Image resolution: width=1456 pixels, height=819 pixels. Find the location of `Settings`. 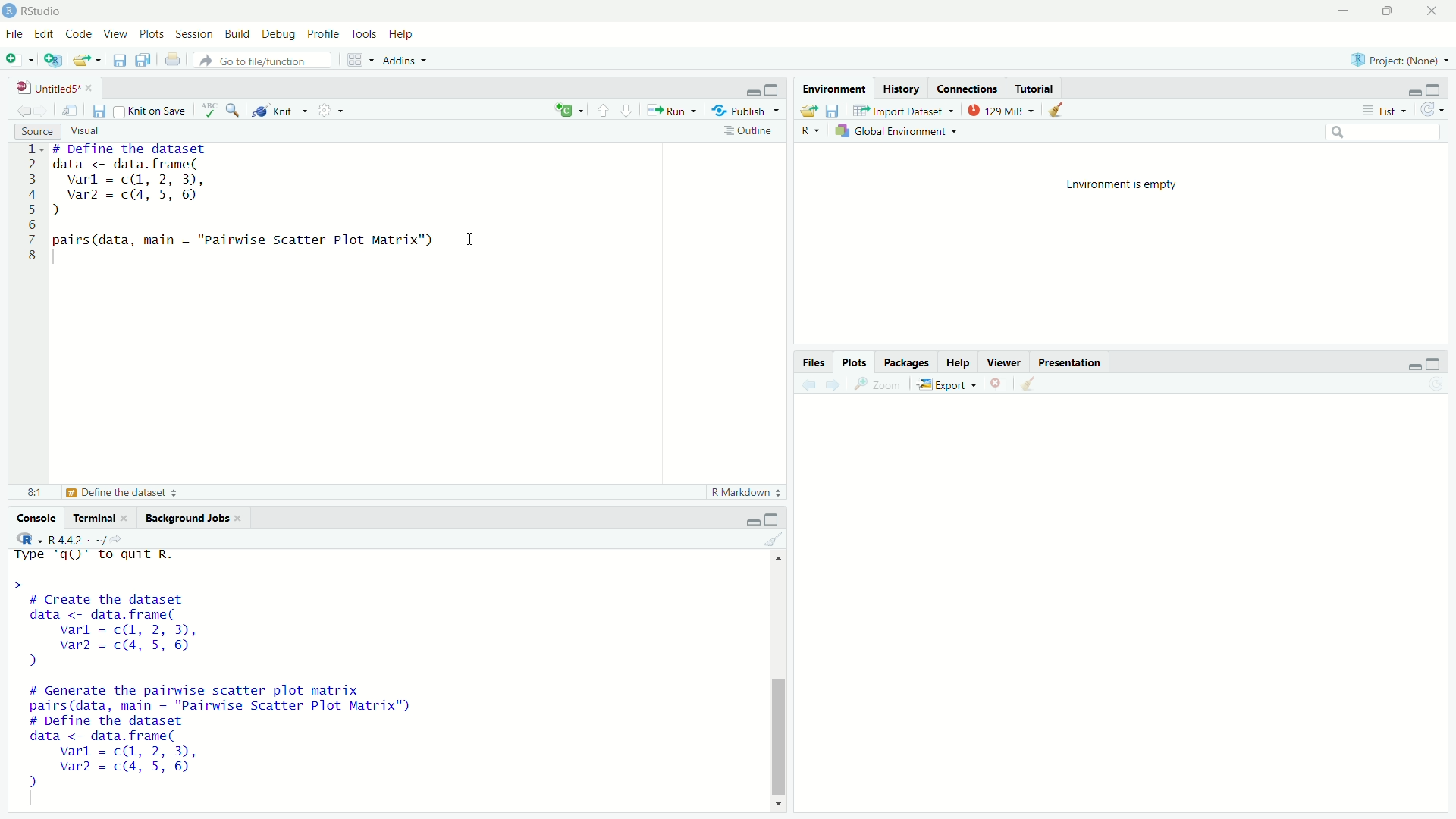

Settings is located at coordinates (330, 109).